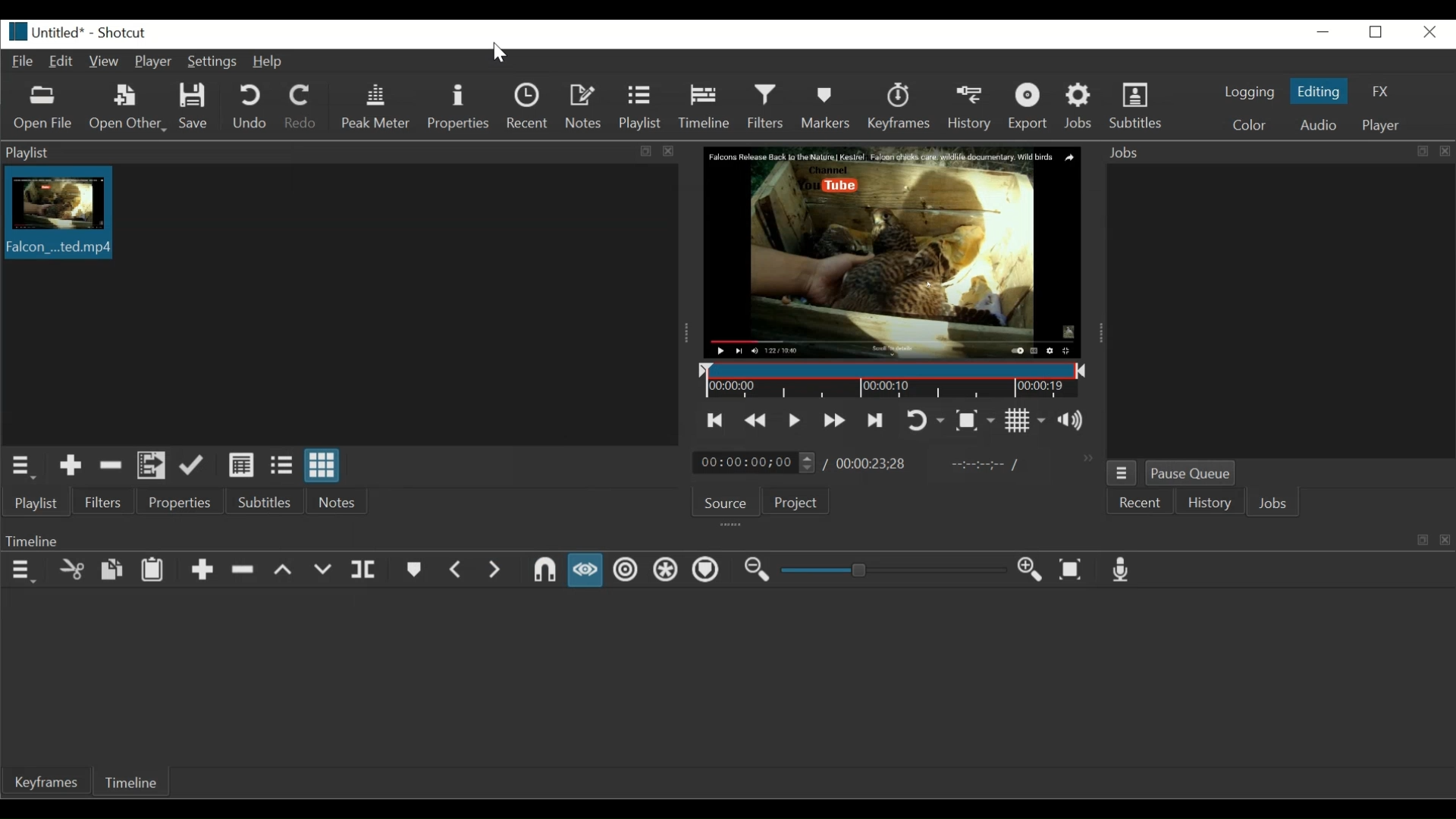  What do you see at coordinates (1250, 91) in the screenshot?
I see `logging` at bounding box center [1250, 91].